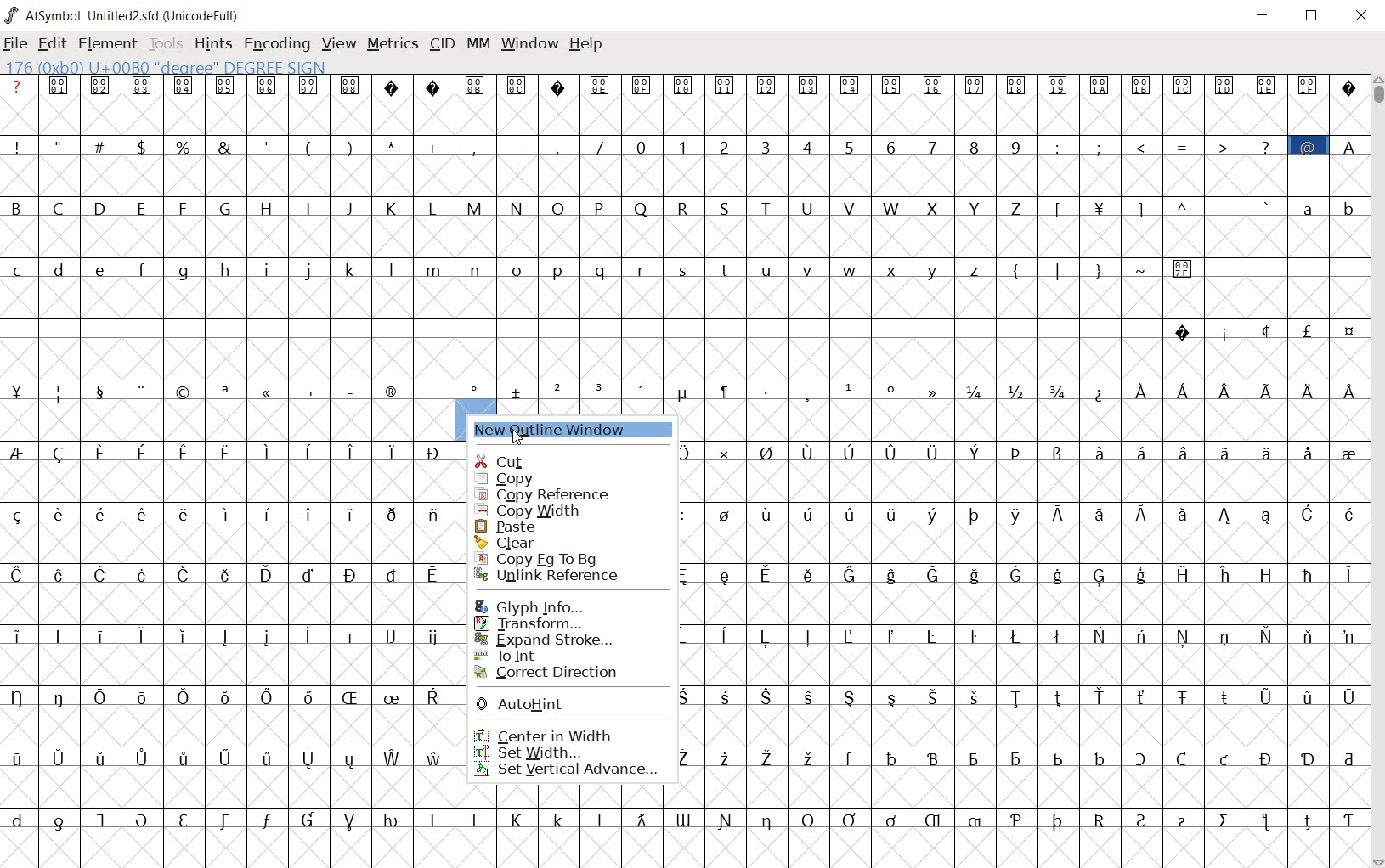 This screenshot has height=868, width=1385. I want to click on copy, so click(548, 480).